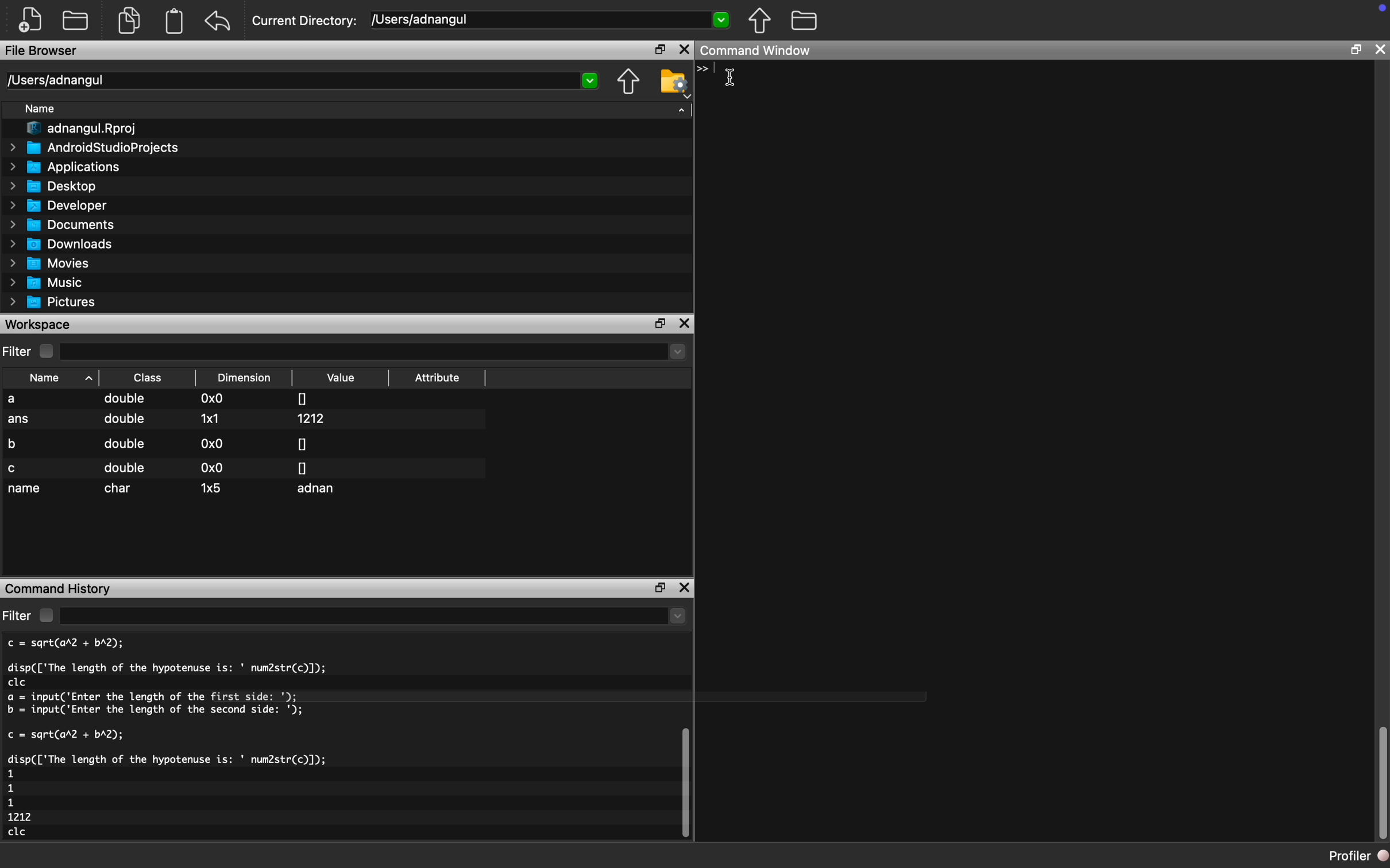 This screenshot has width=1390, height=868. What do you see at coordinates (26, 490) in the screenshot?
I see `name` at bounding box center [26, 490].